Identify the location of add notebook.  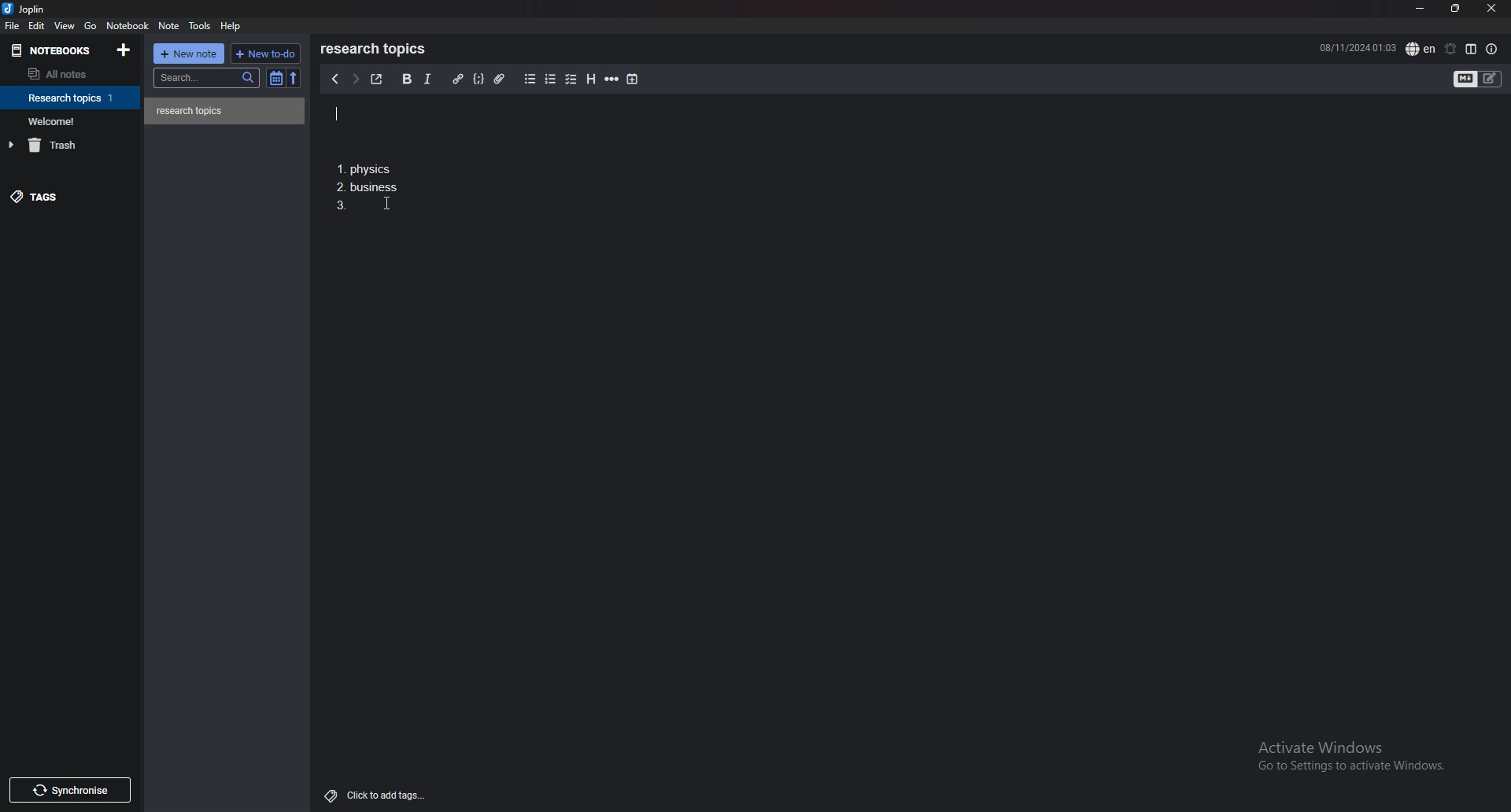
(123, 50).